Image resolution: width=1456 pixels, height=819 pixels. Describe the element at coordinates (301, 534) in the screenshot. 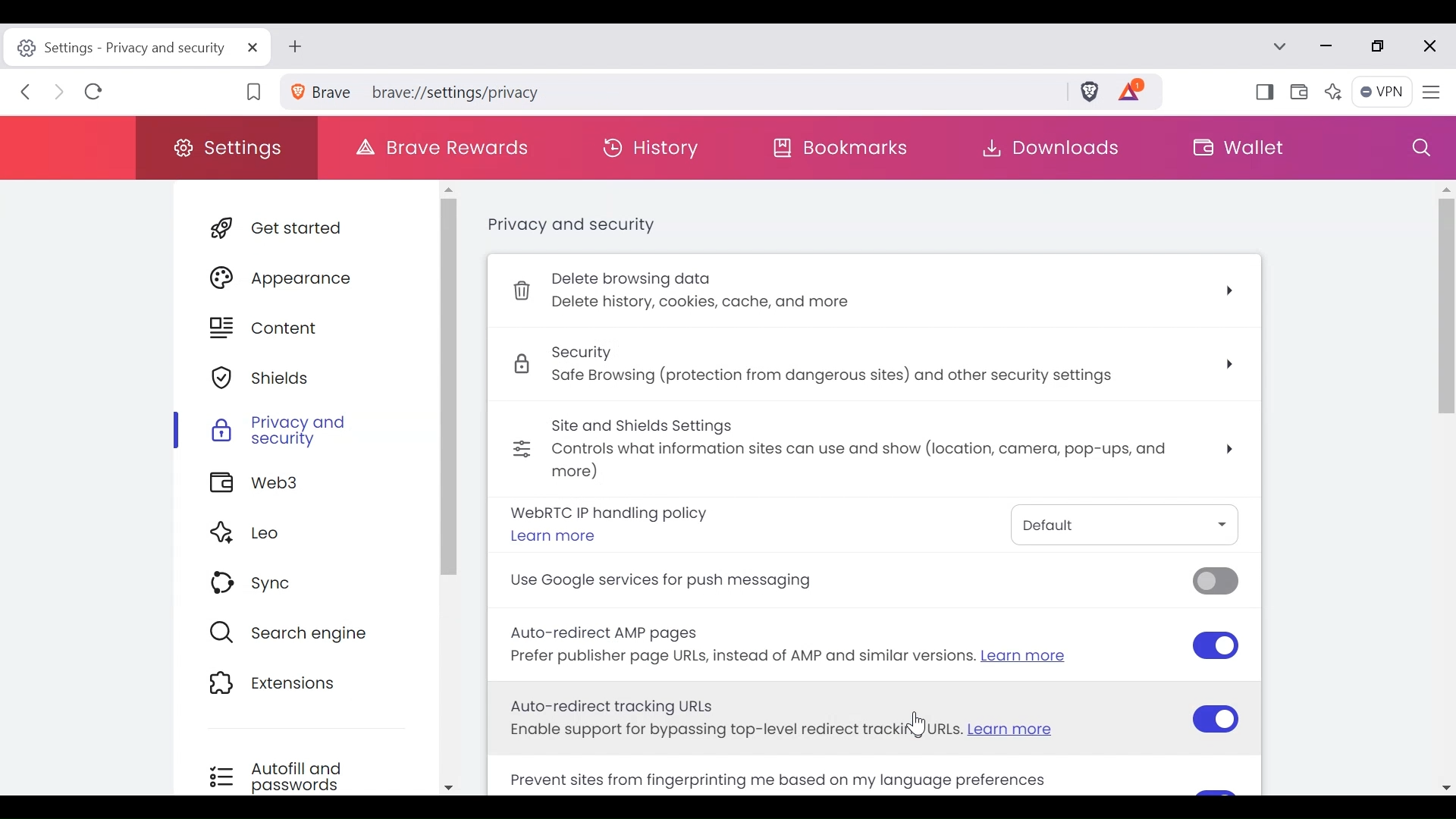

I see `Leo` at that location.